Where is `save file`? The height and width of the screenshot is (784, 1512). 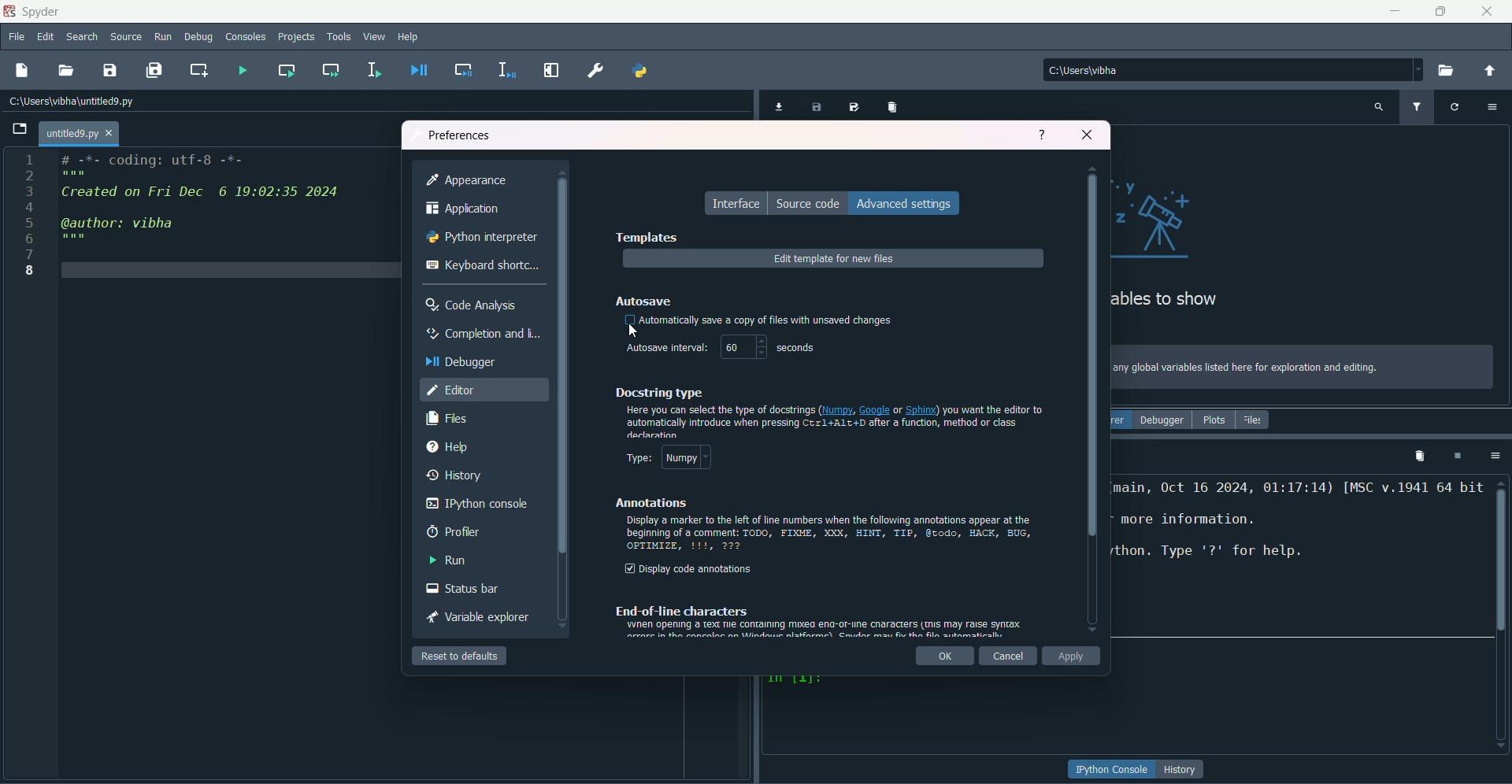
save file is located at coordinates (110, 69).